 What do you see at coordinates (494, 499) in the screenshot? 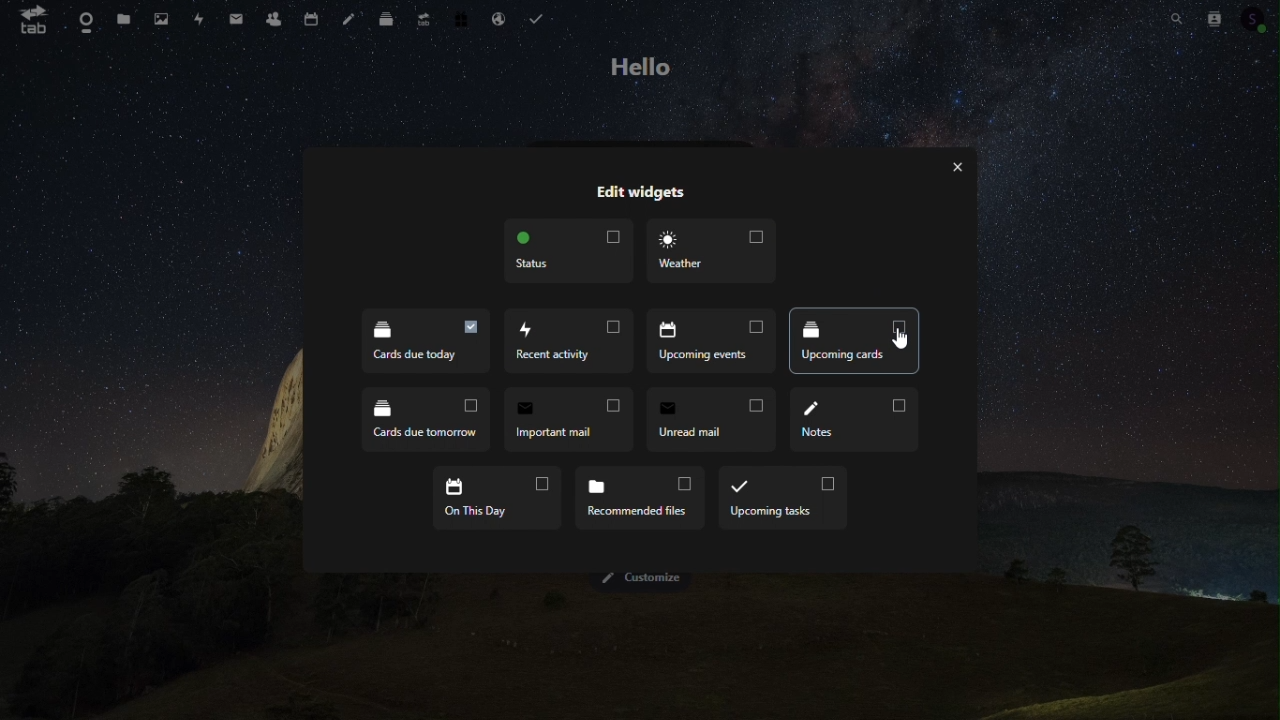
I see `On this day` at bounding box center [494, 499].